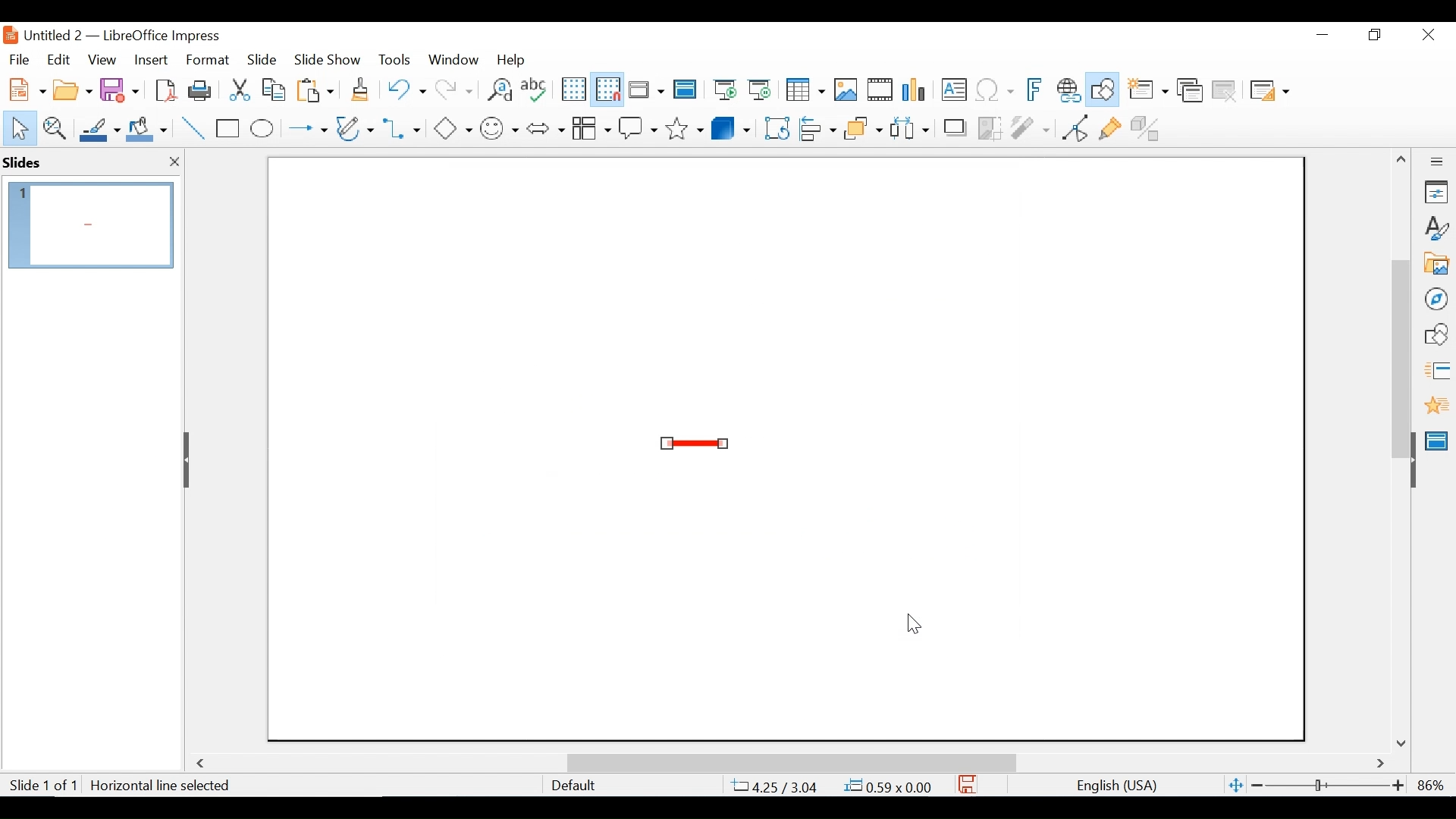 The width and height of the screenshot is (1456, 819). Describe the element at coordinates (19, 58) in the screenshot. I see `File` at that location.